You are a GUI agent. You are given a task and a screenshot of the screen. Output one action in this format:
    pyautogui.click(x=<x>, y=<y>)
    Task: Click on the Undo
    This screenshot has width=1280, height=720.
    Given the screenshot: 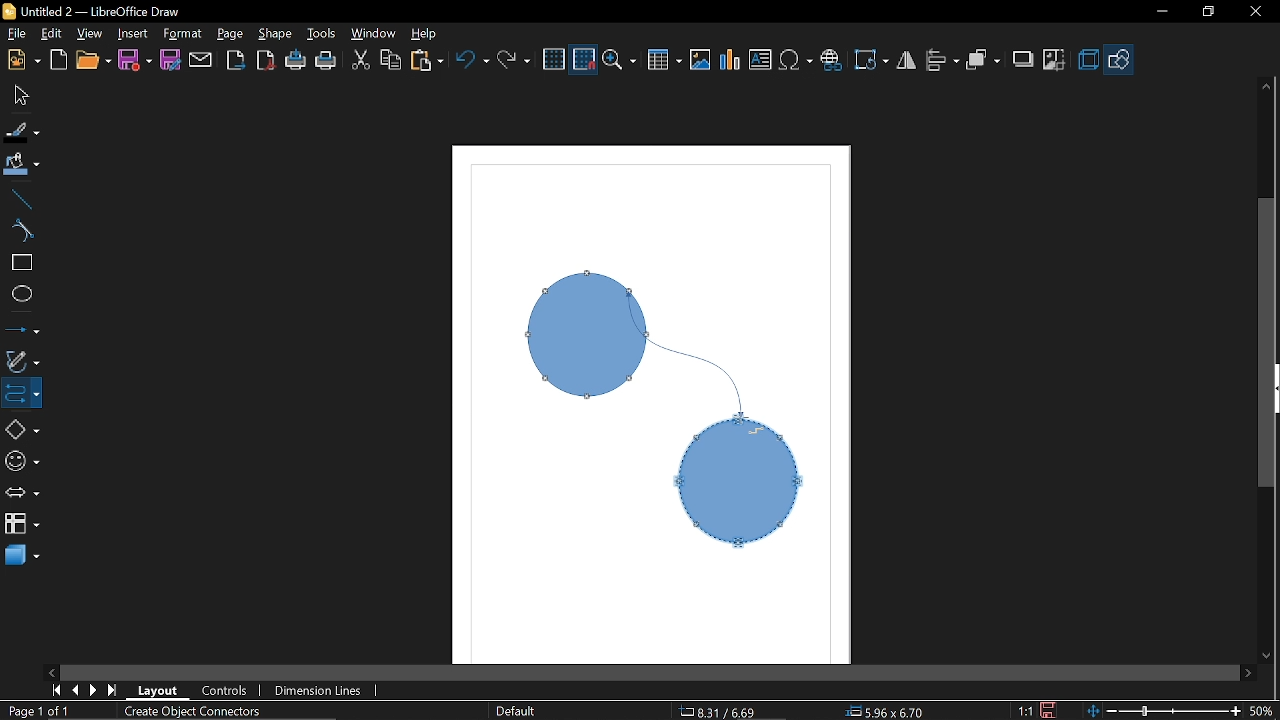 What is the action you would take?
    pyautogui.click(x=472, y=59)
    